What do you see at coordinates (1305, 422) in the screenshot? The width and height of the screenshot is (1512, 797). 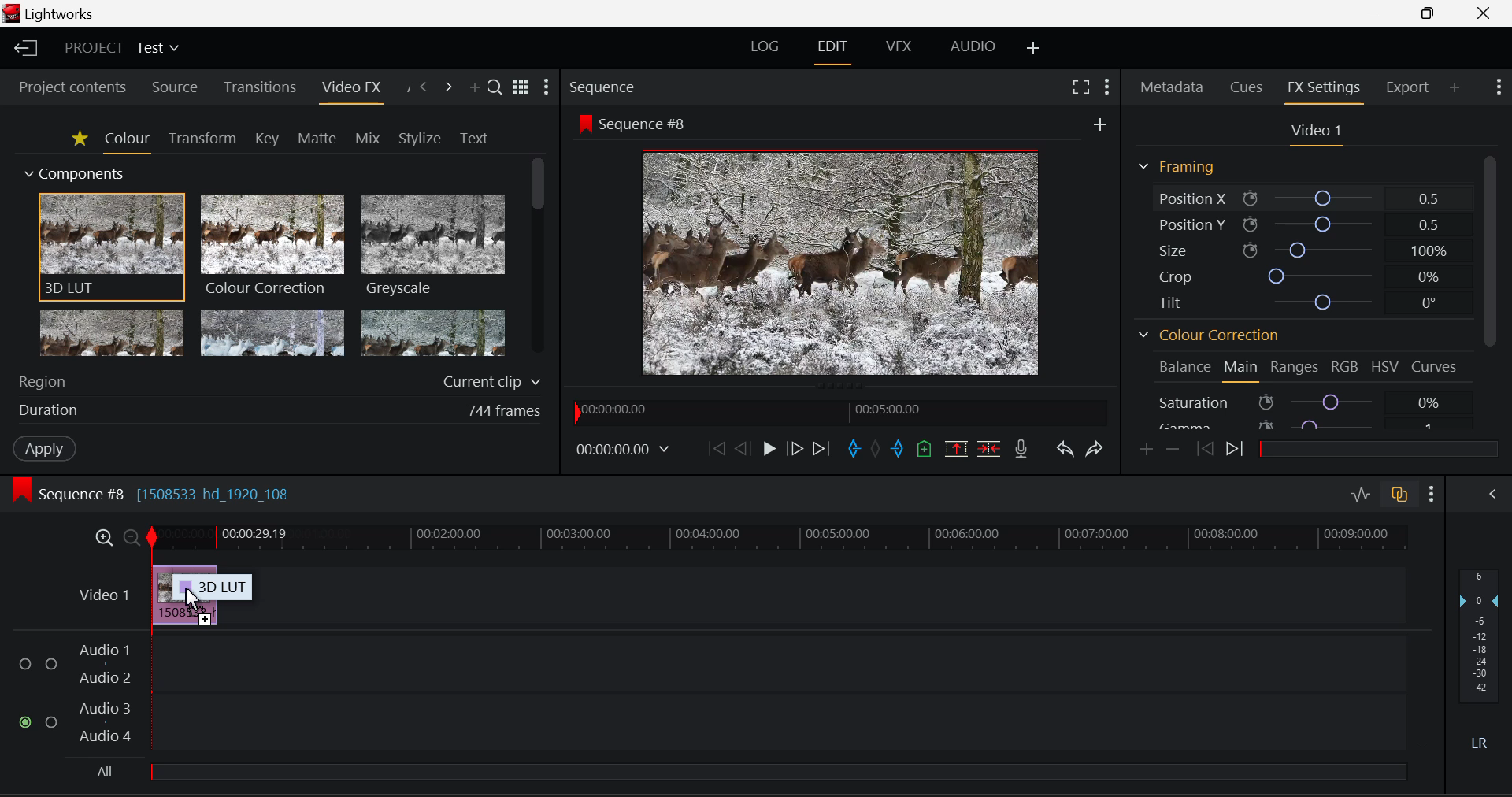 I see `Gamma` at bounding box center [1305, 422].